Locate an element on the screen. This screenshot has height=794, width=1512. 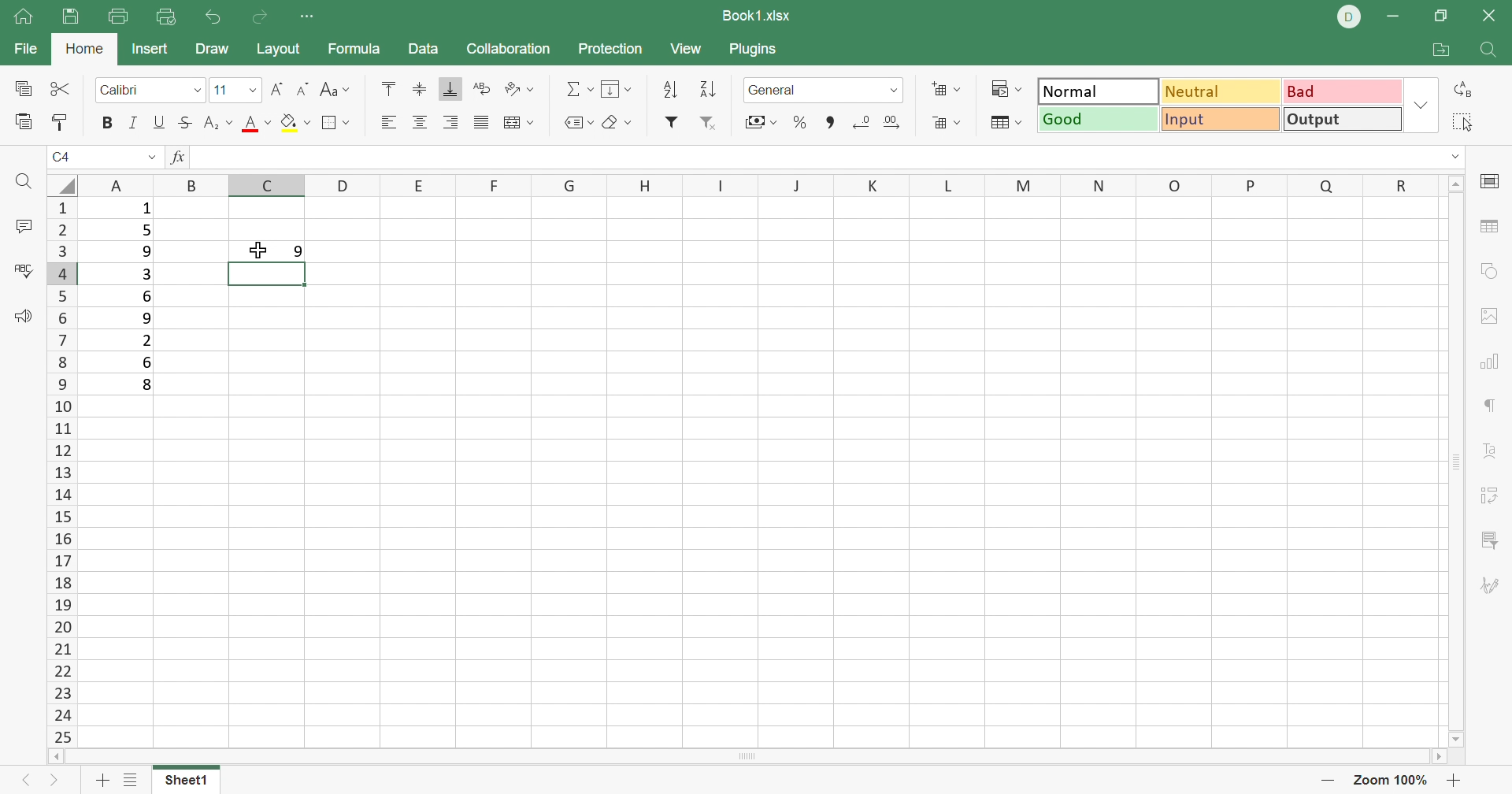
Insert is located at coordinates (149, 49).